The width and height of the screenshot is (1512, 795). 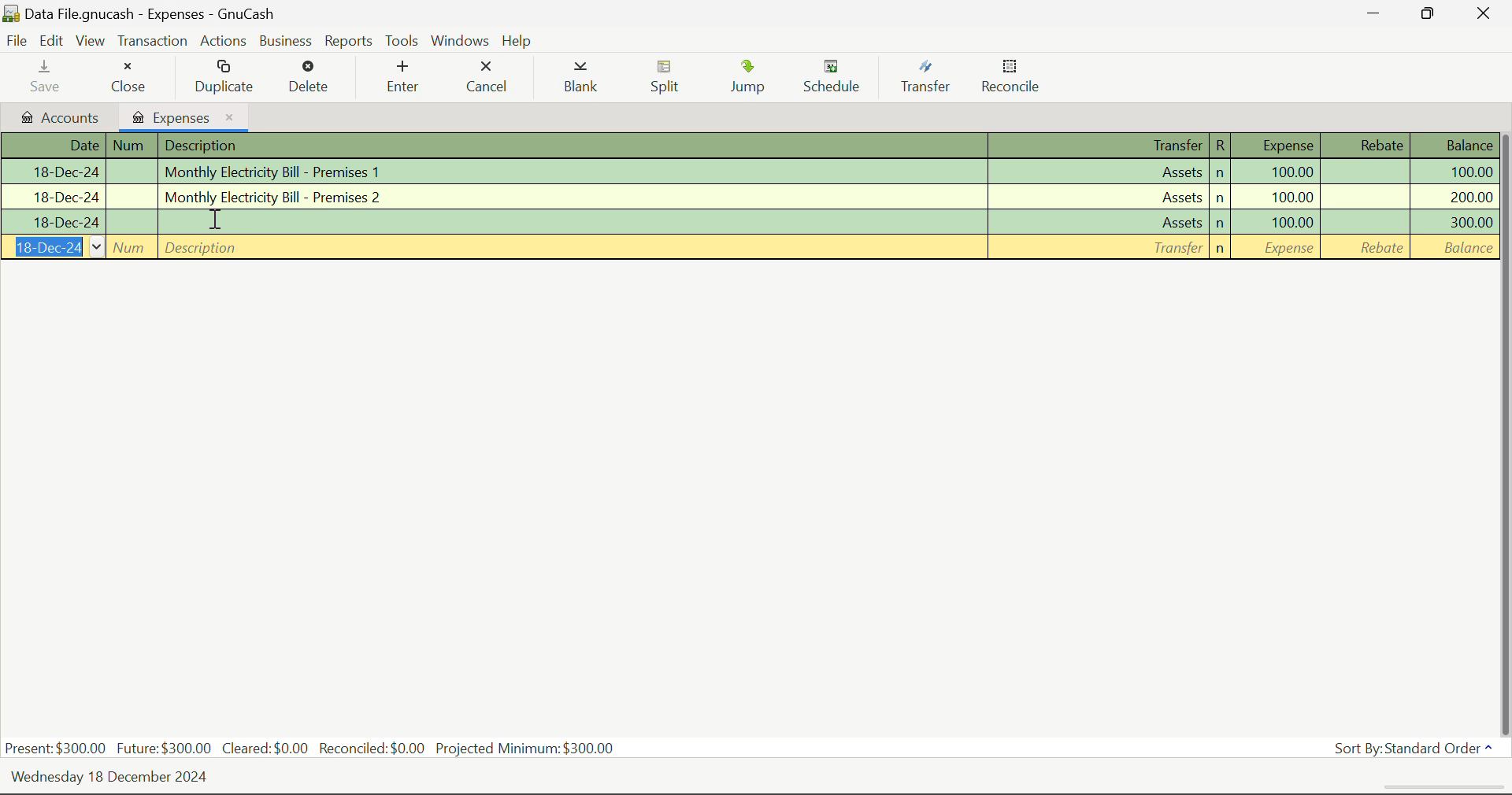 What do you see at coordinates (586, 79) in the screenshot?
I see `Blank` at bounding box center [586, 79].